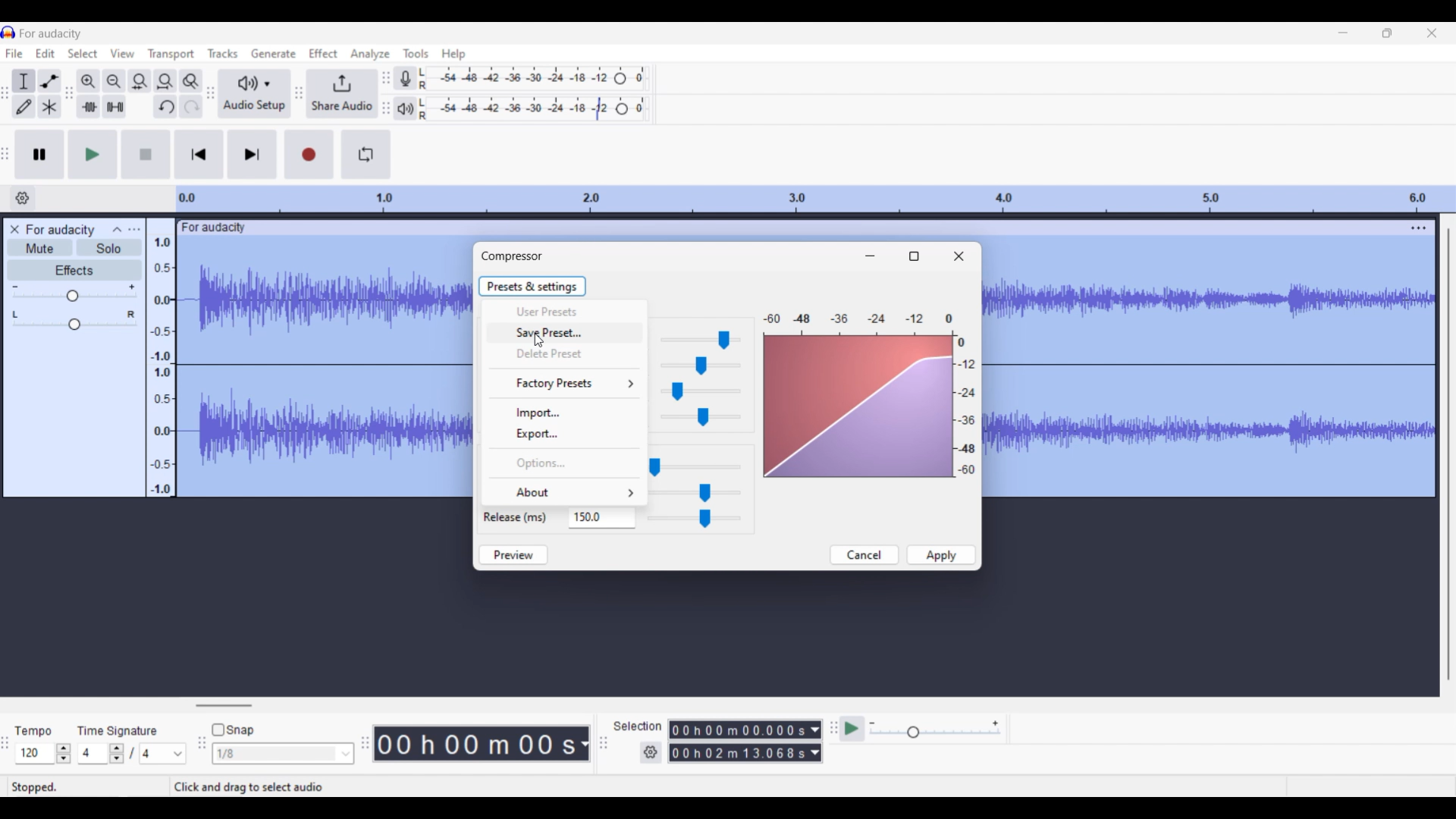  I want to click on Settings, so click(651, 752).